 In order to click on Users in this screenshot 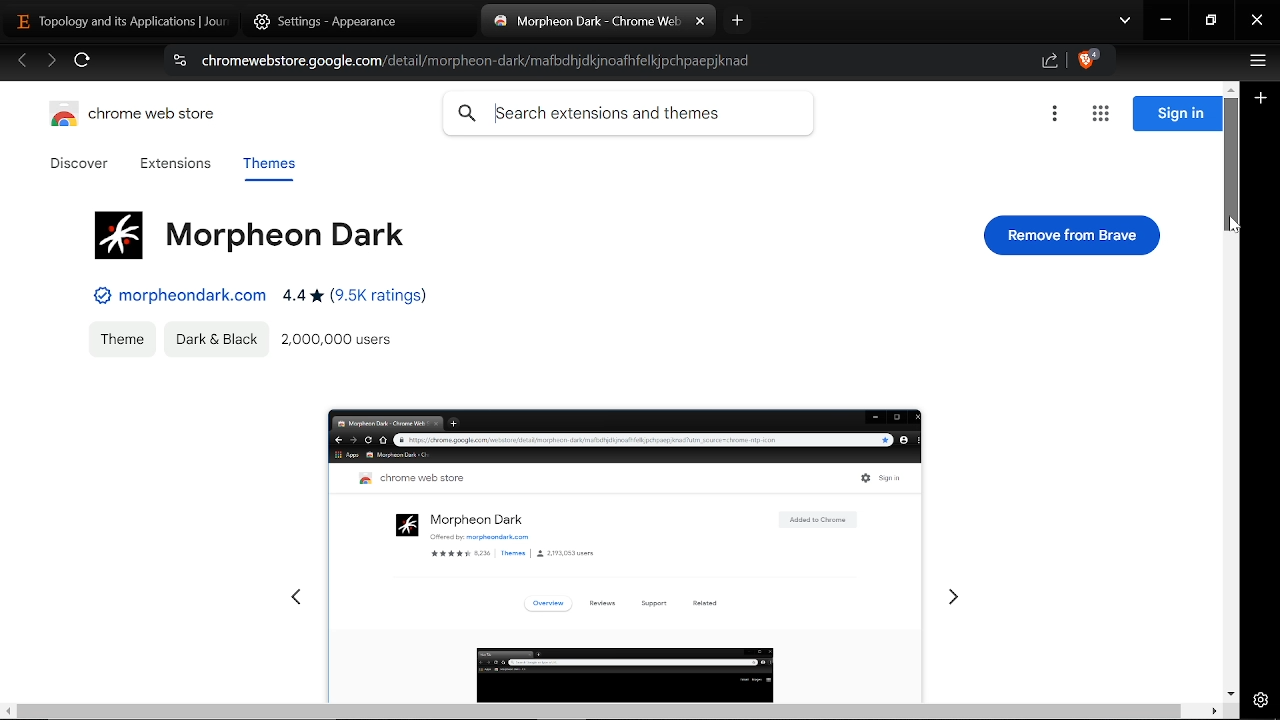, I will do `click(340, 342)`.